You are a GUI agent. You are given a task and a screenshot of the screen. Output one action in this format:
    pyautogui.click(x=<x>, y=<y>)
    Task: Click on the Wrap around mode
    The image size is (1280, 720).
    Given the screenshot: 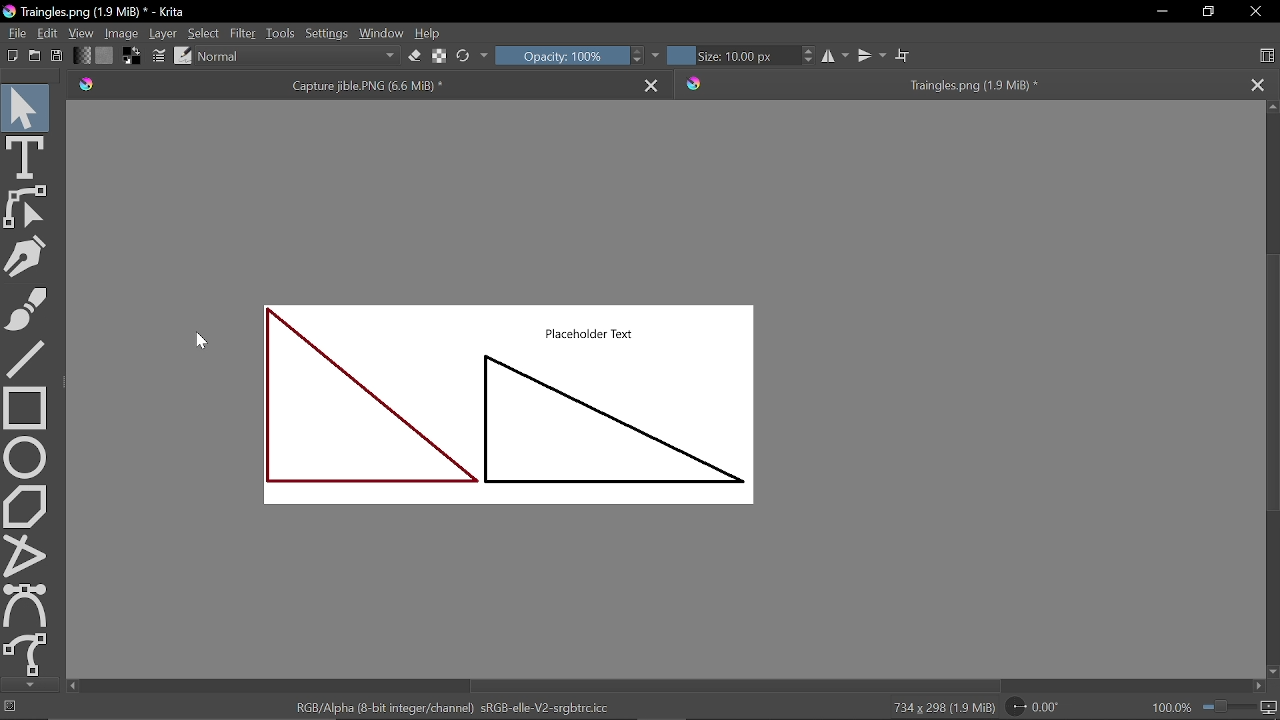 What is the action you would take?
    pyautogui.click(x=904, y=53)
    